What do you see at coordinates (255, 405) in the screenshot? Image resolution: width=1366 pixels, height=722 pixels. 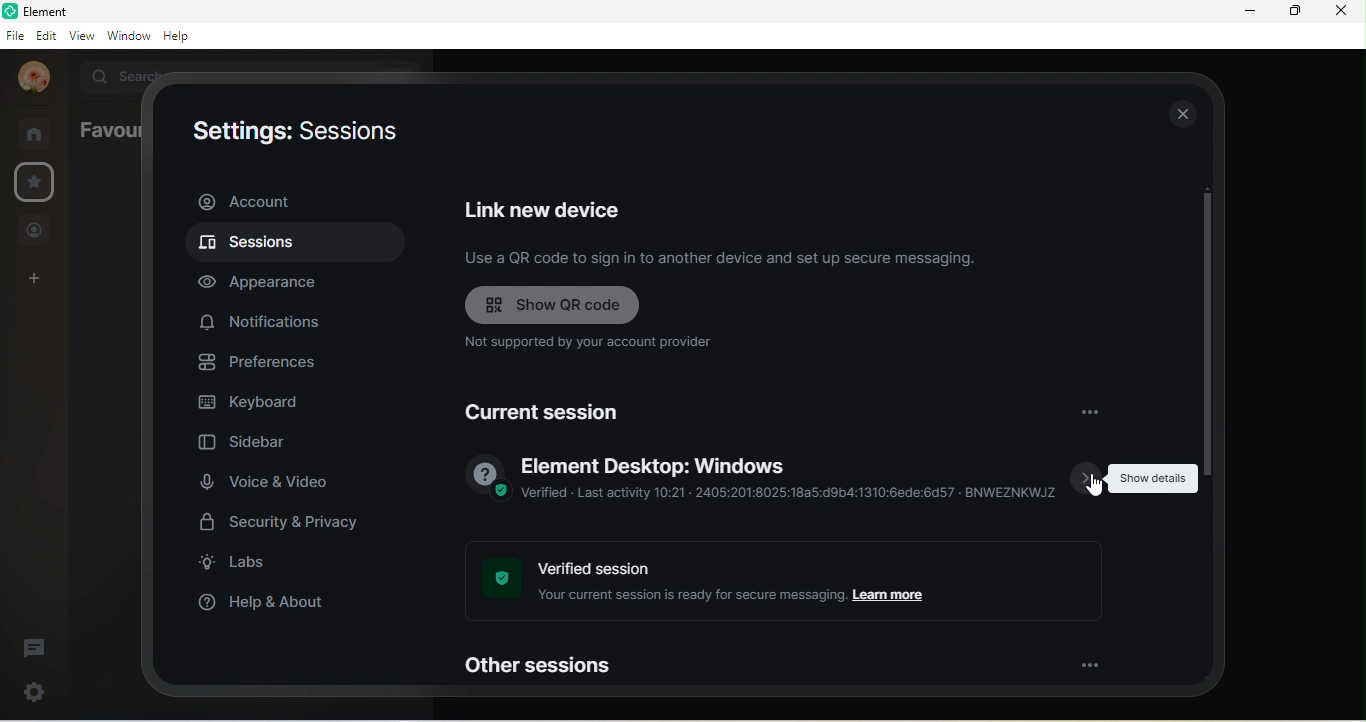 I see `keyboard` at bounding box center [255, 405].